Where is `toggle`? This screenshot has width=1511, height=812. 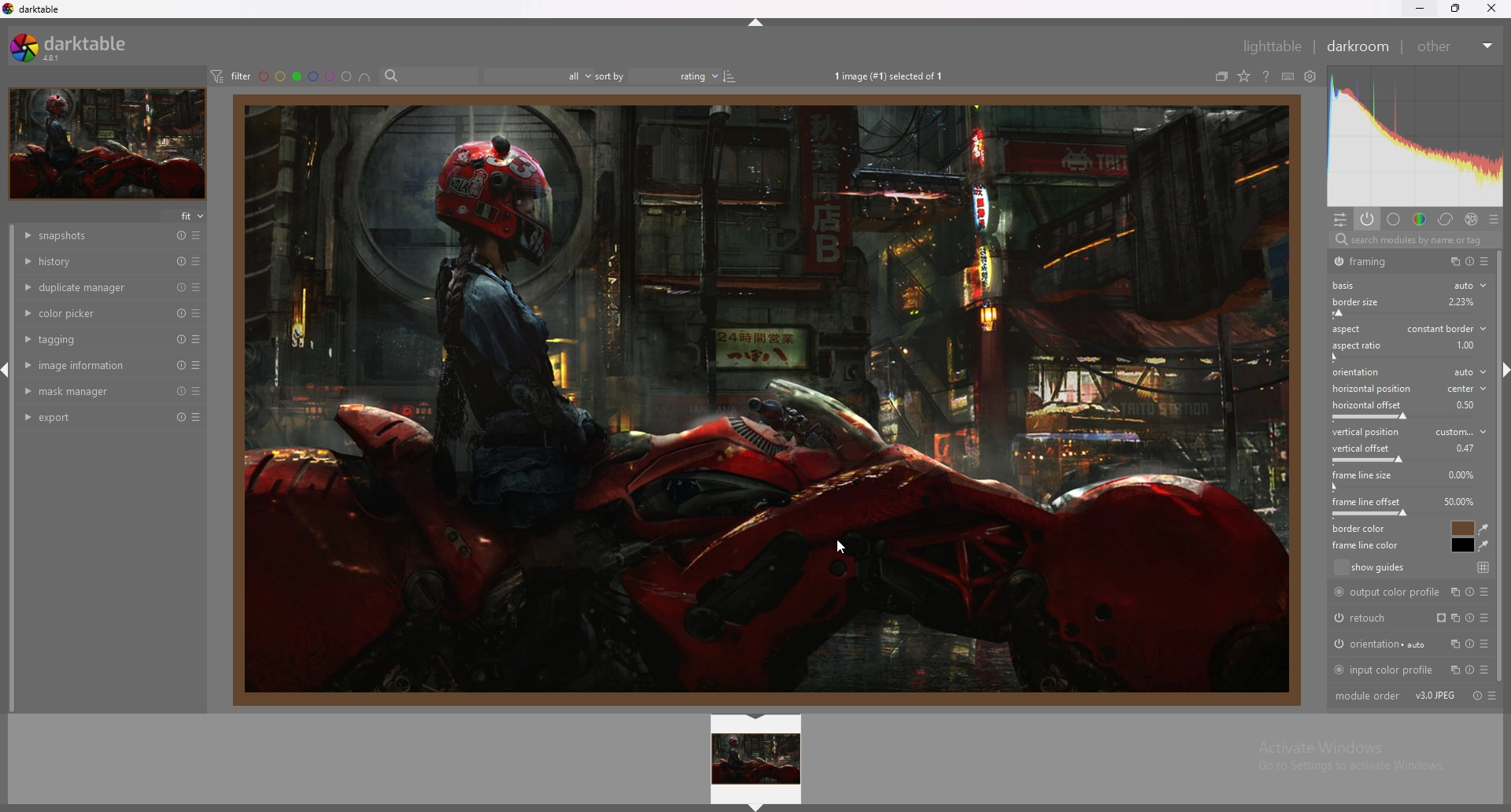 toggle is located at coordinates (1472, 262).